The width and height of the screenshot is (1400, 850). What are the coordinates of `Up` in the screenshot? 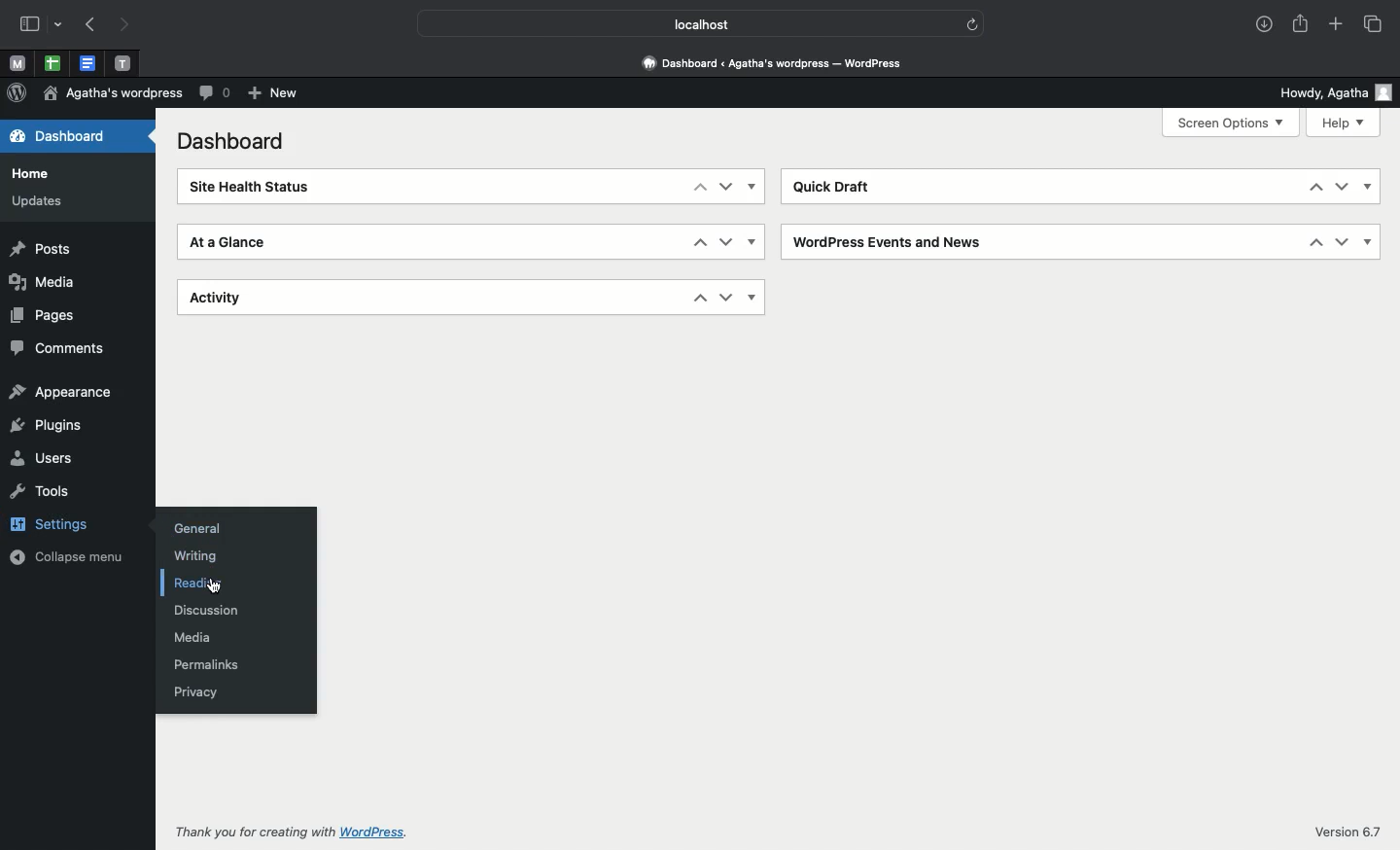 It's located at (699, 188).